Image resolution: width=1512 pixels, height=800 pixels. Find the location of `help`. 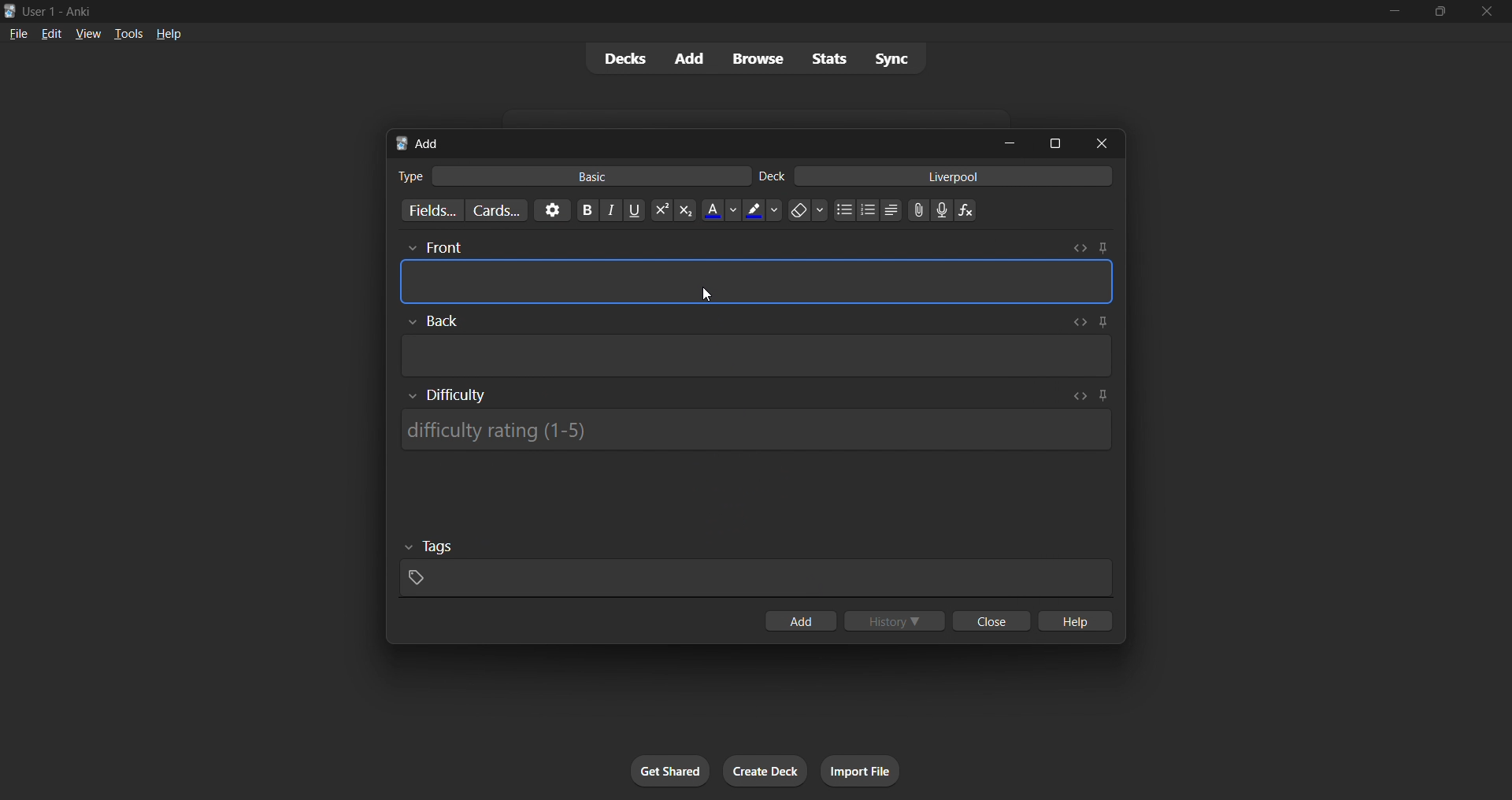

help is located at coordinates (1073, 620).